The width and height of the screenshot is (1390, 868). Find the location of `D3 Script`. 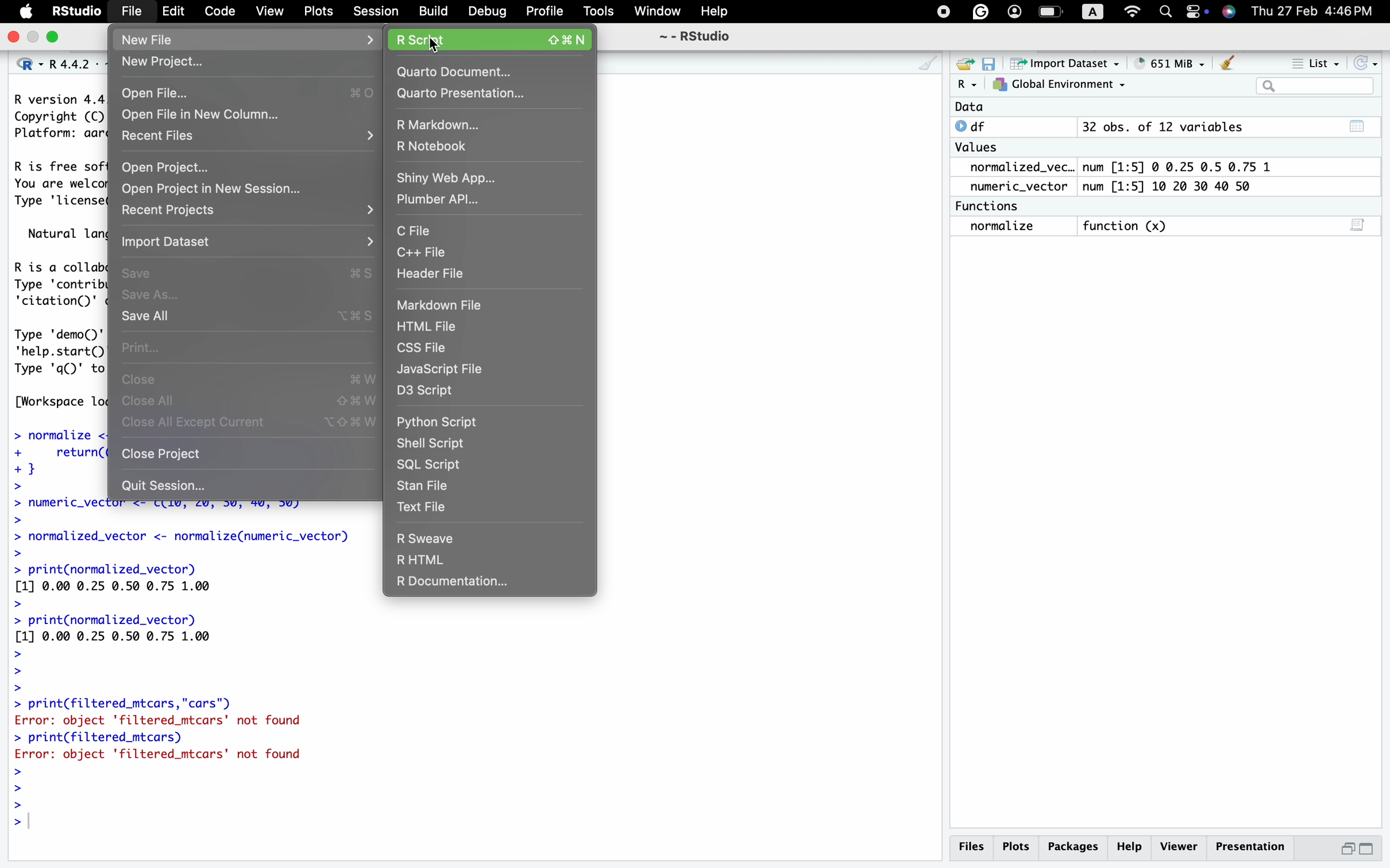

D3 Script is located at coordinates (433, 389).